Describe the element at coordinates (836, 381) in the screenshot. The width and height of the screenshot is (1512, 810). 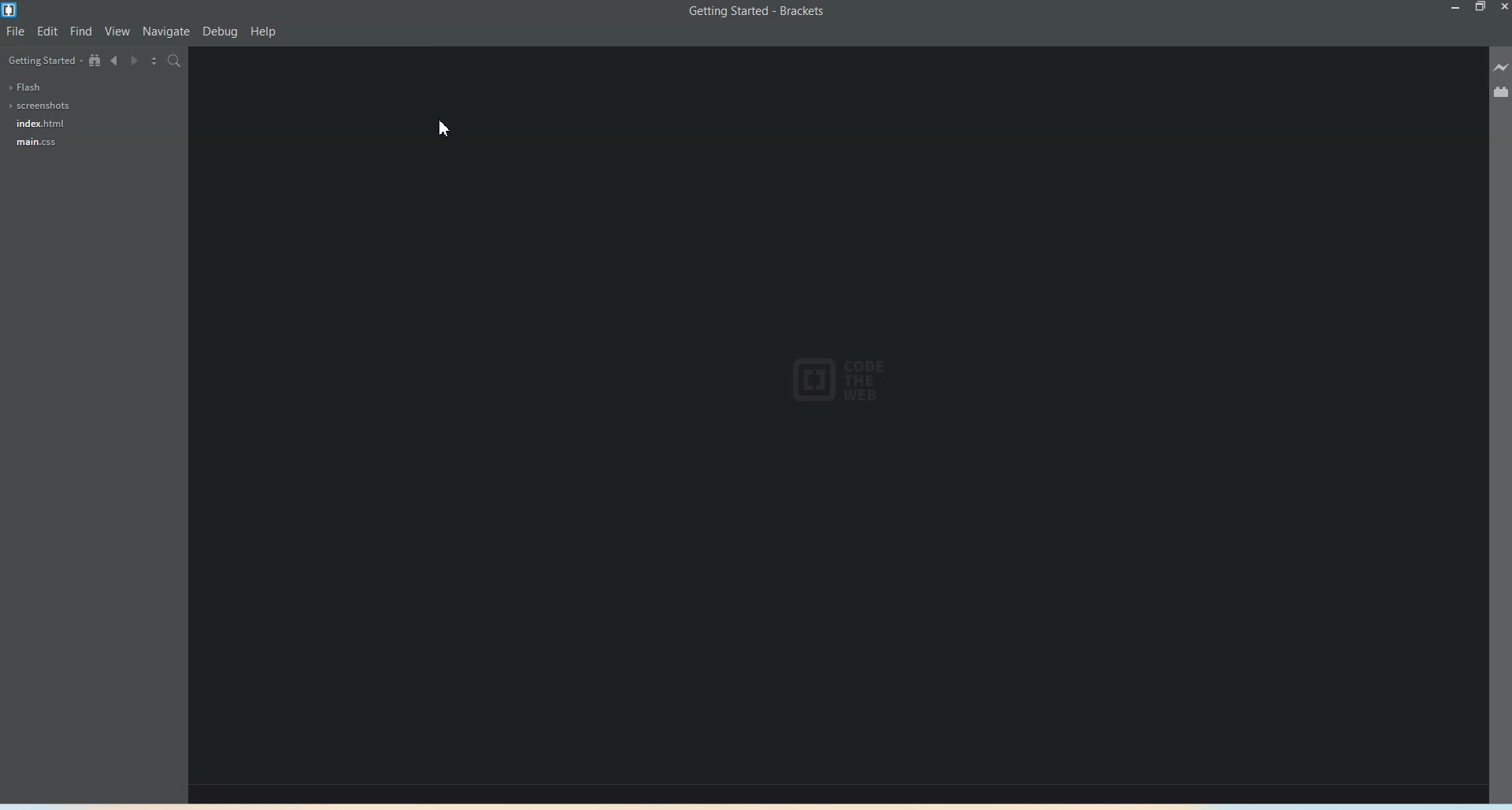
I see `Code the Web` at that location.